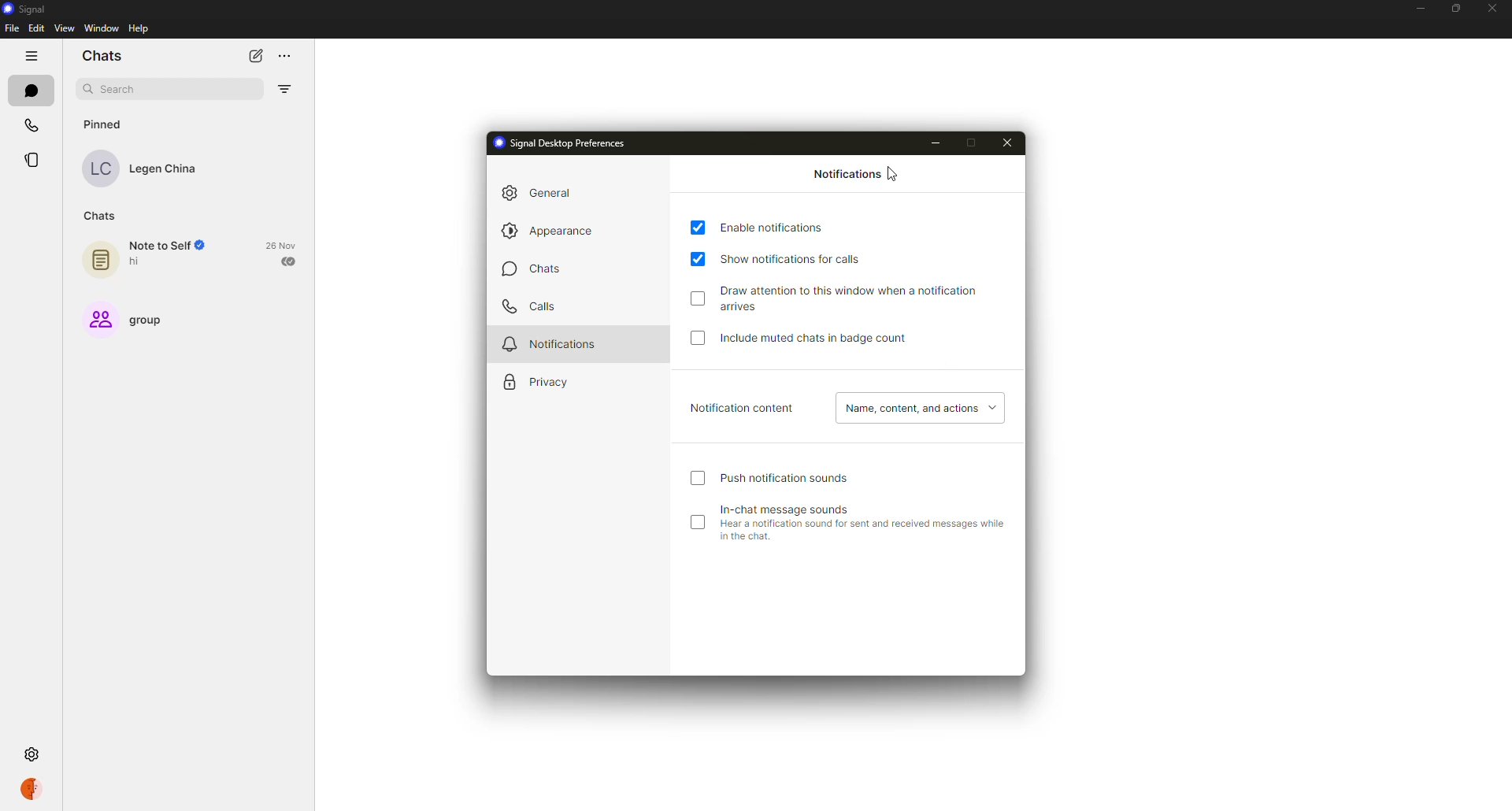 The image size is (1512, 811). I want to click on note to self, so click(151, 257).